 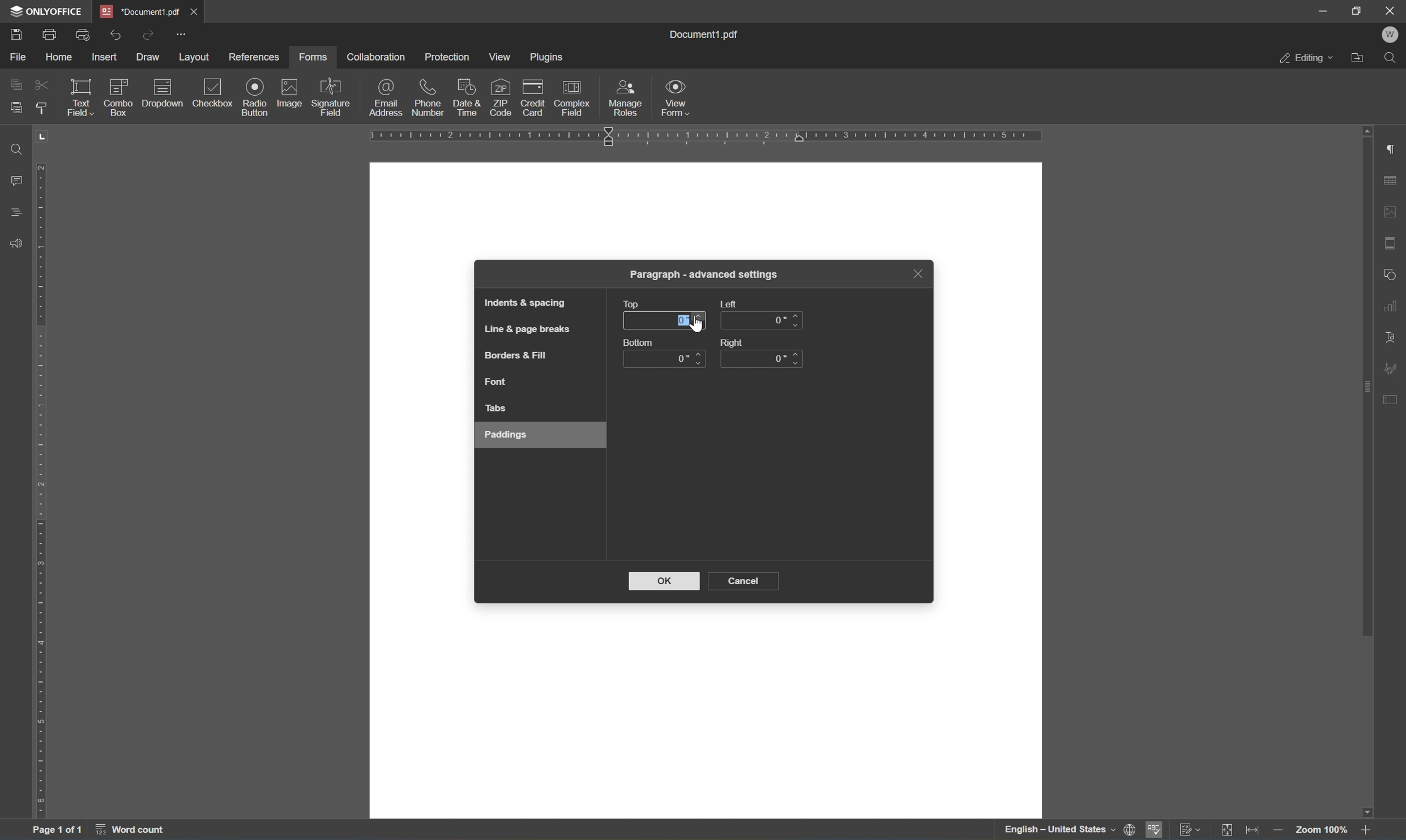 What do you see at coordinates (13, 148) in the screenshot?
I see `find` at bounding box center [13, 148].